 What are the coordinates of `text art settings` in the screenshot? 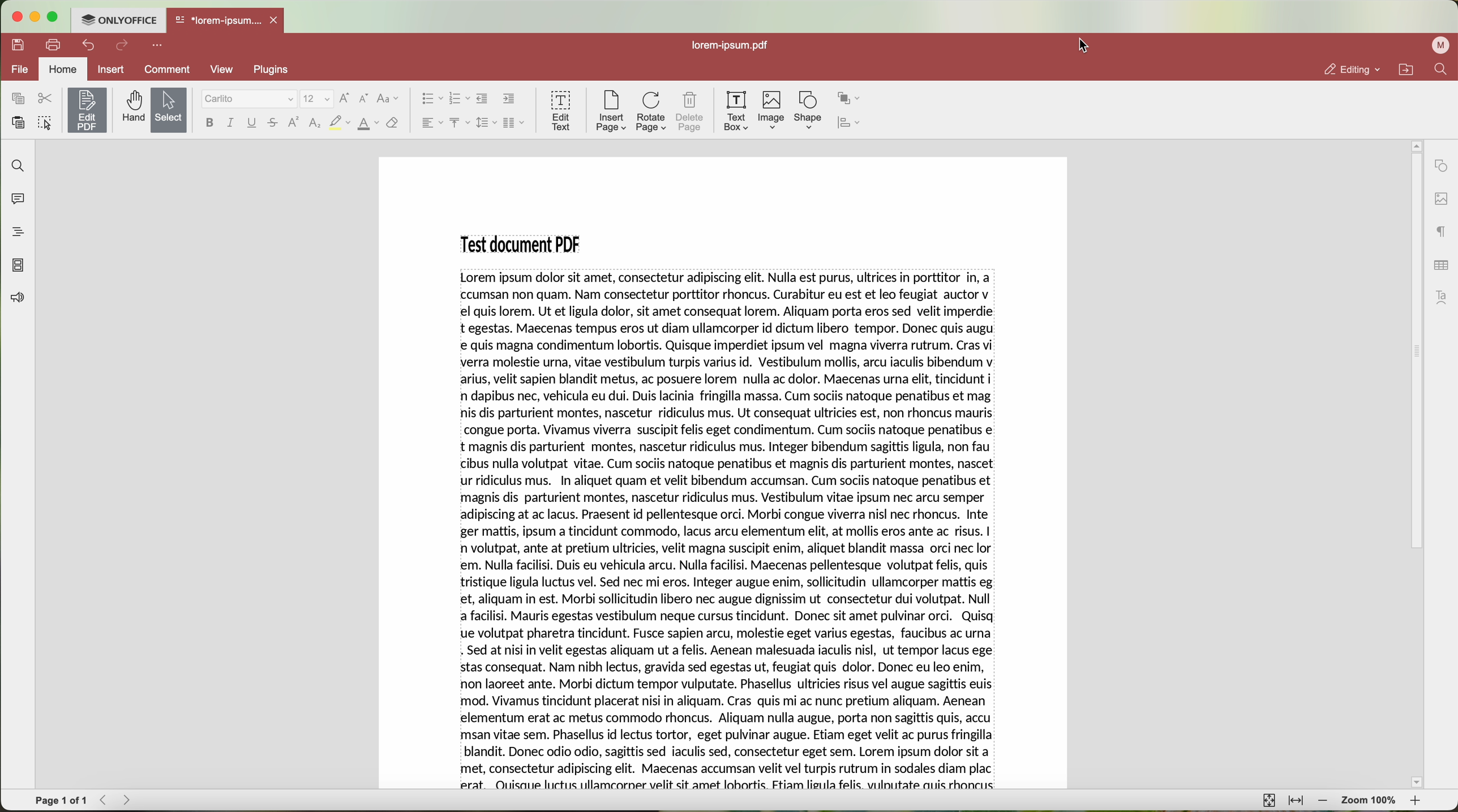 It's located at (1443, 301).